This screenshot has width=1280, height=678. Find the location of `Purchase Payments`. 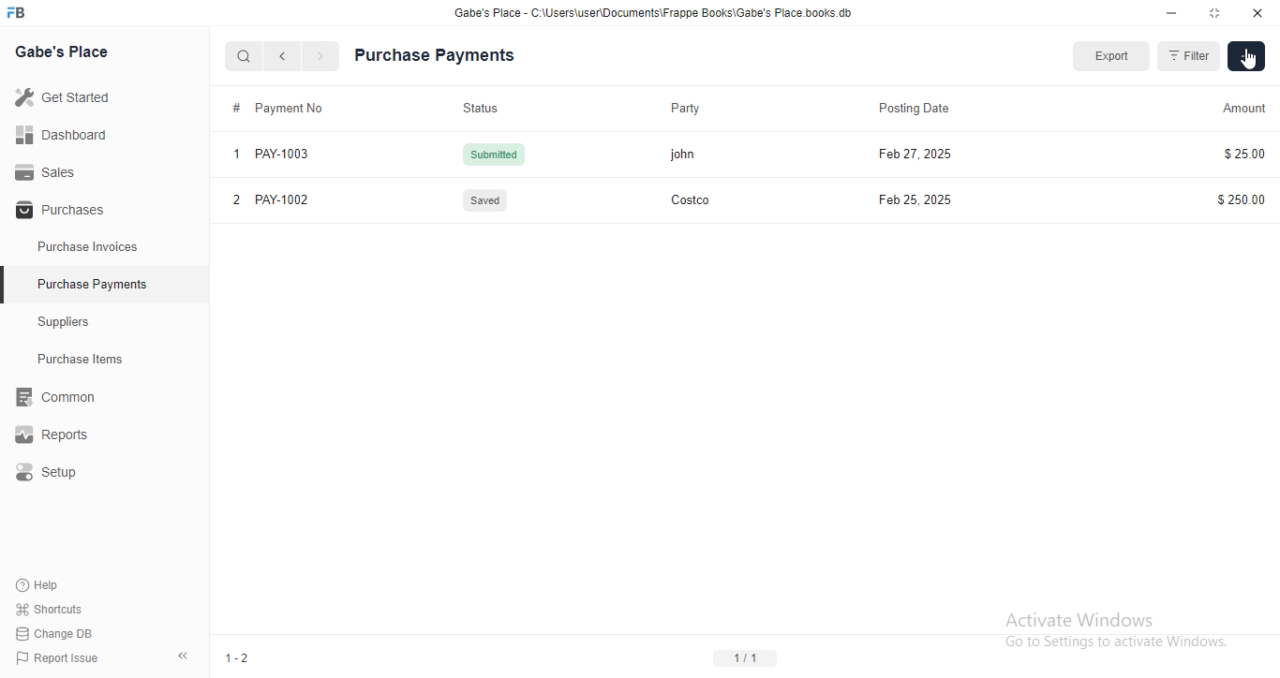

Purchase Payments is located at coordinates (91, 284).